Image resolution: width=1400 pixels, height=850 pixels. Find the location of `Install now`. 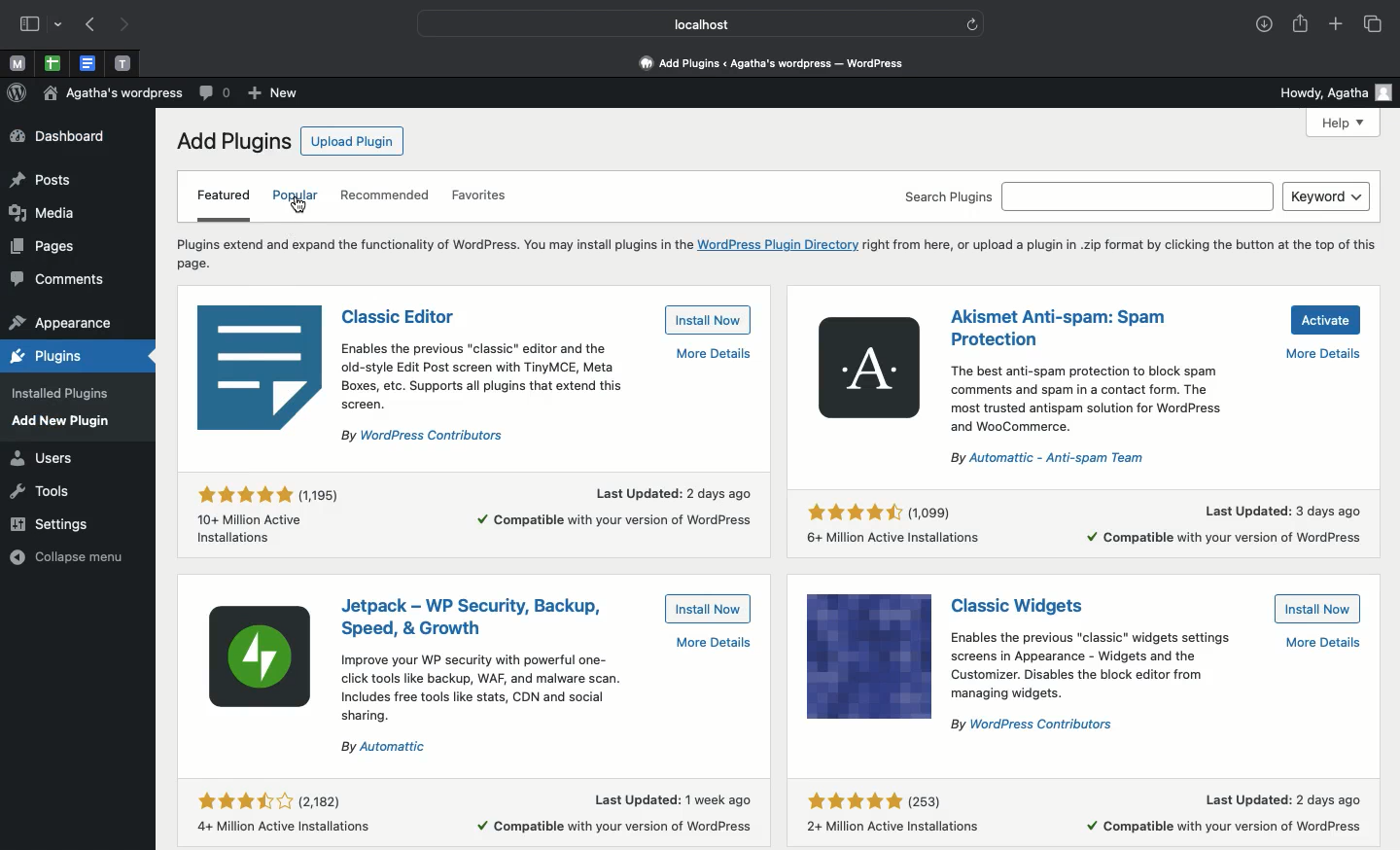

Install now is located at coordinates (1318, 609).